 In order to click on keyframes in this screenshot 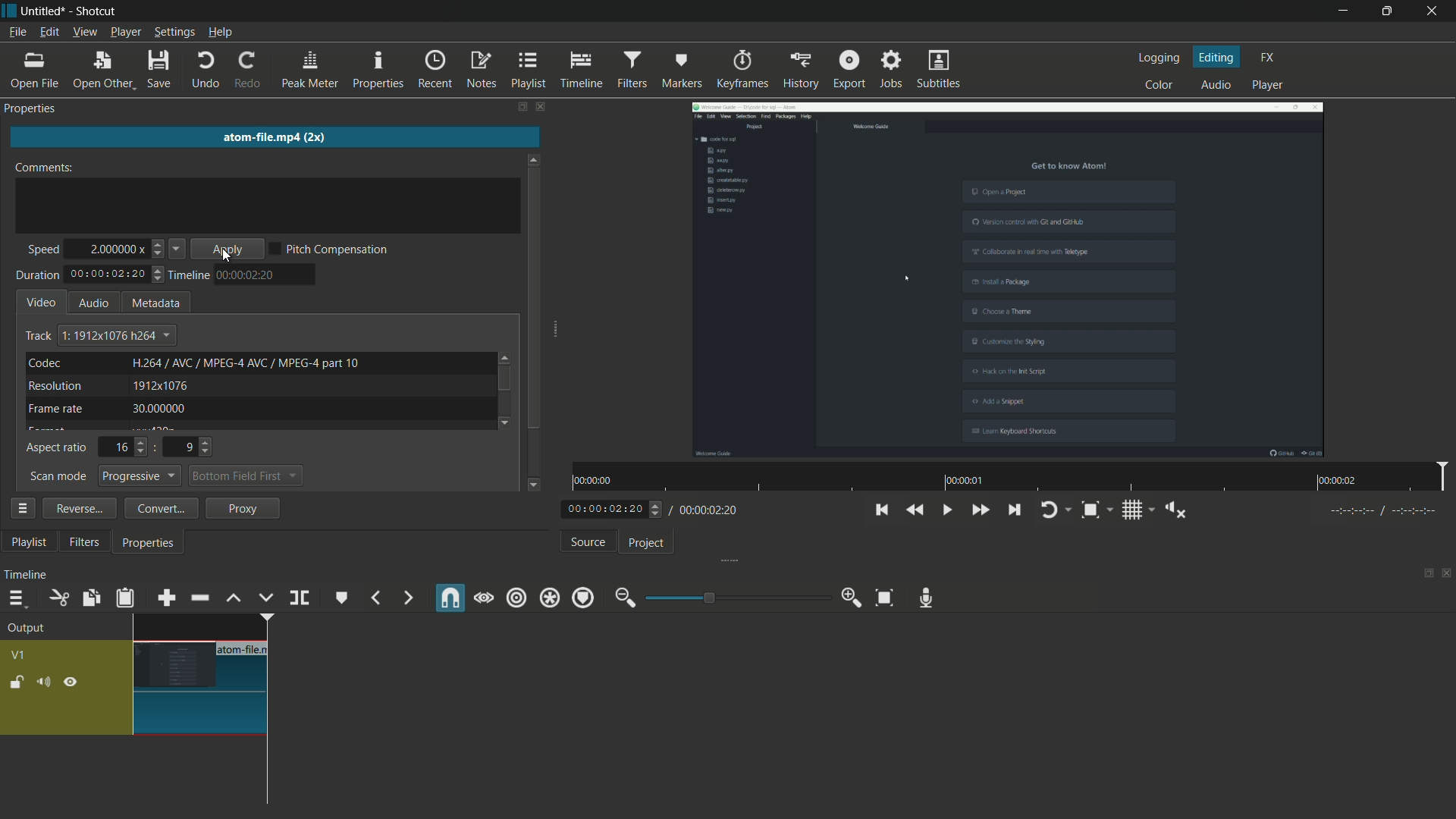, I will do `click(743, 68)`.